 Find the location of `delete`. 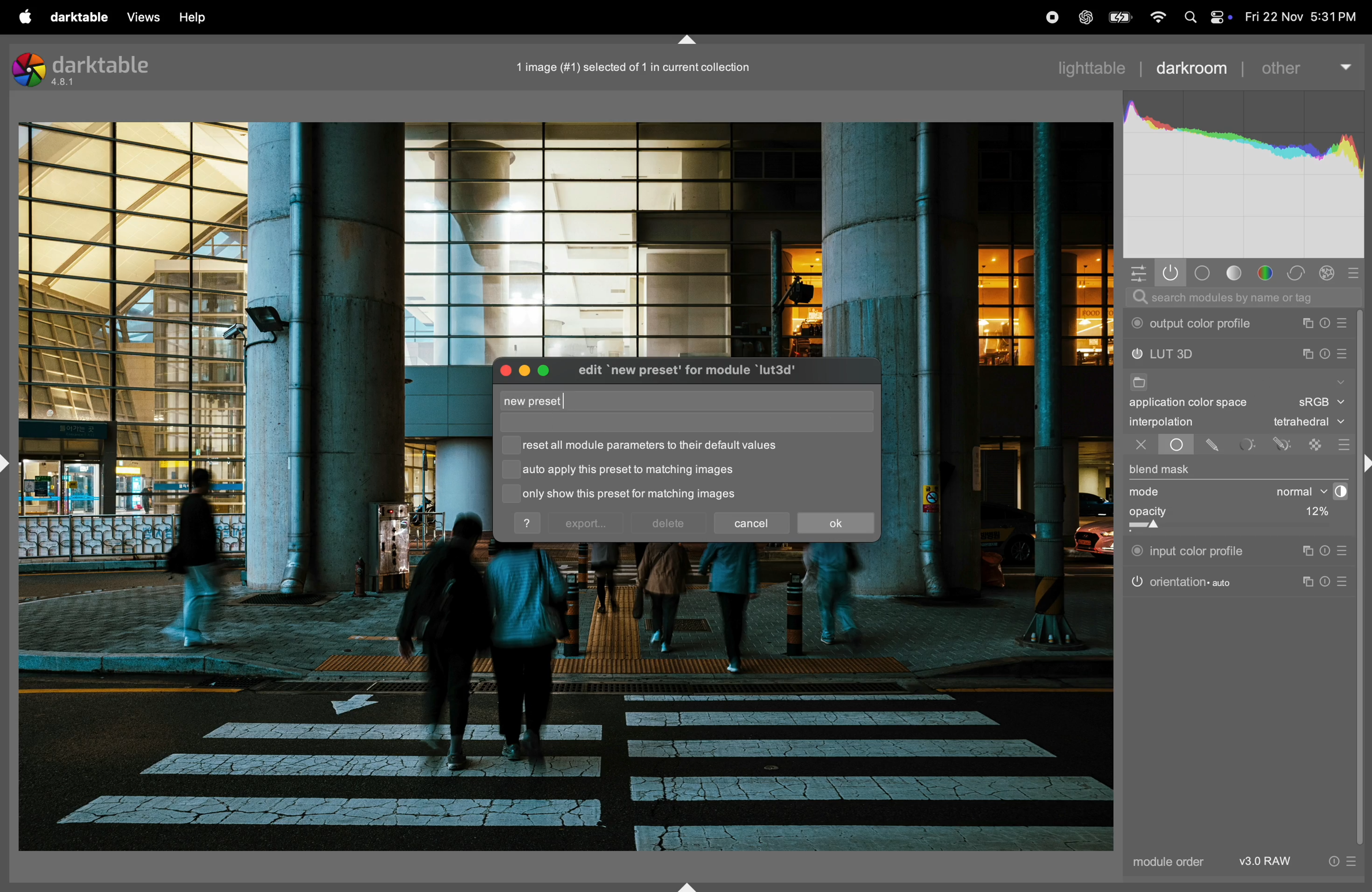

delete is located at coordinates (668, 524).